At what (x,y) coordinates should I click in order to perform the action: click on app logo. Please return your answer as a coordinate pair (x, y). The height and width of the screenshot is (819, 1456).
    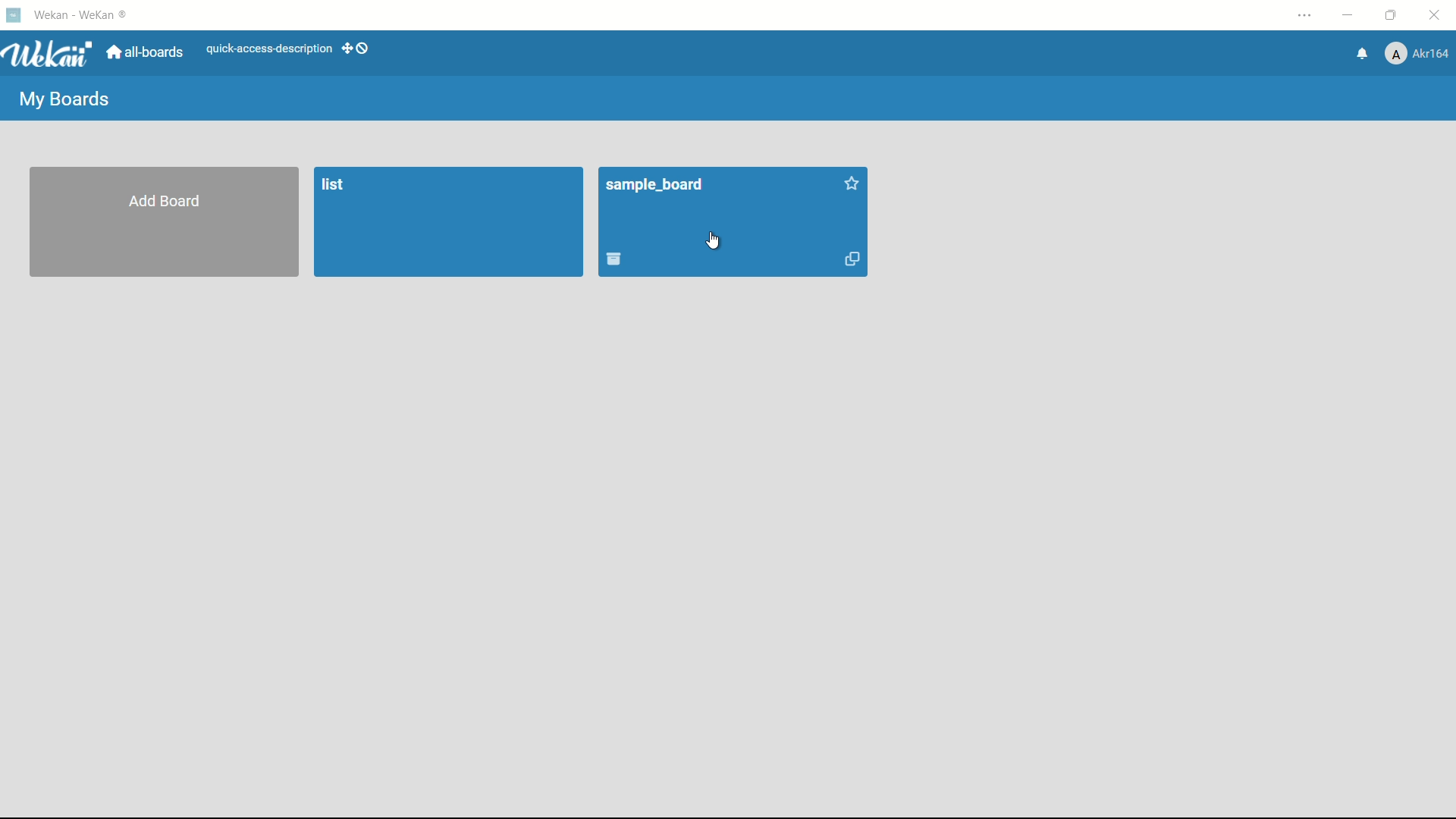
    Looking at the image, I should click on (47, 54).